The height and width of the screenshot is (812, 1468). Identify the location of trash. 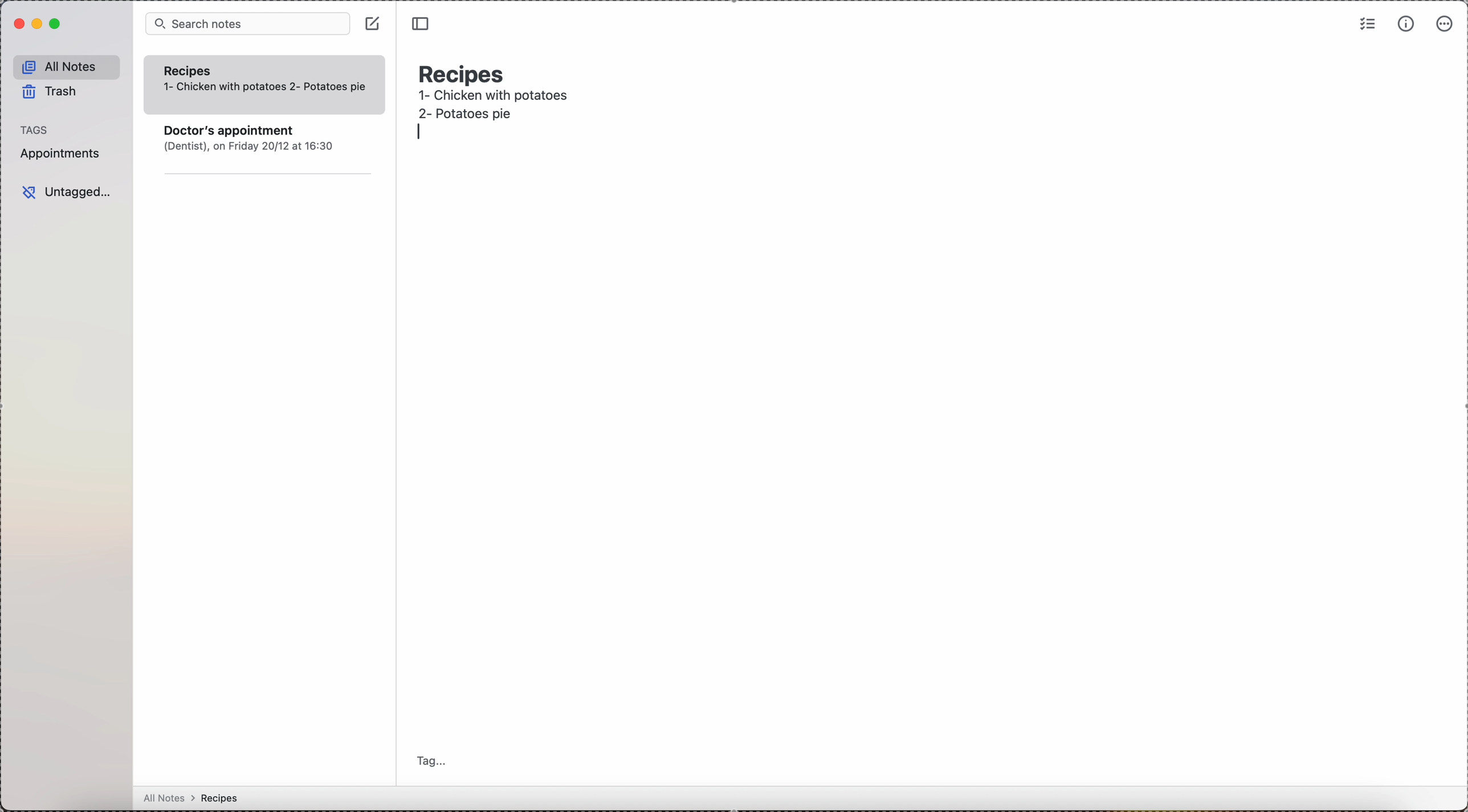
(56, 91).